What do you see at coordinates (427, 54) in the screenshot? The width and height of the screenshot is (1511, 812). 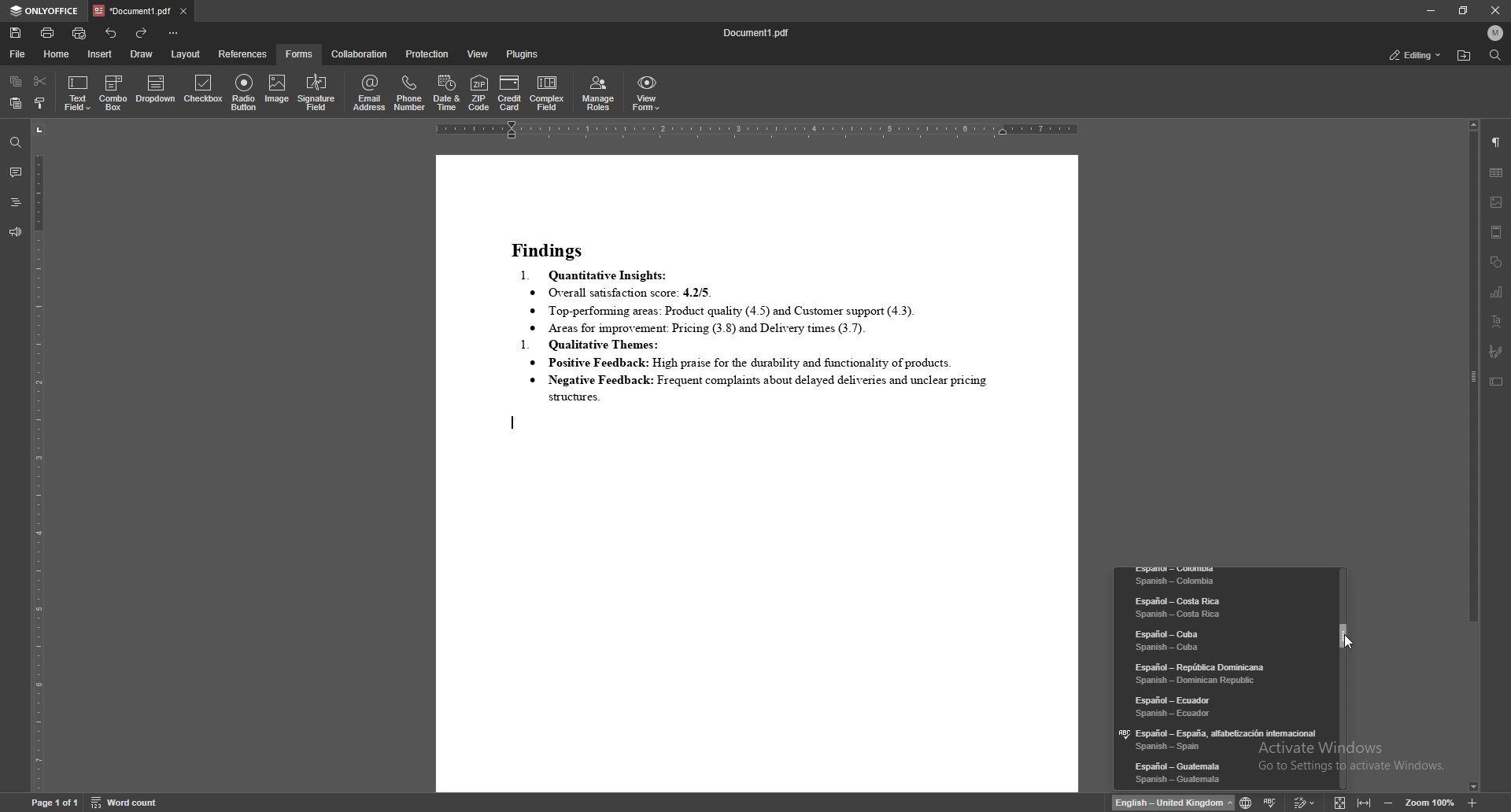 I see `protection` at bounding box center [427, 54].